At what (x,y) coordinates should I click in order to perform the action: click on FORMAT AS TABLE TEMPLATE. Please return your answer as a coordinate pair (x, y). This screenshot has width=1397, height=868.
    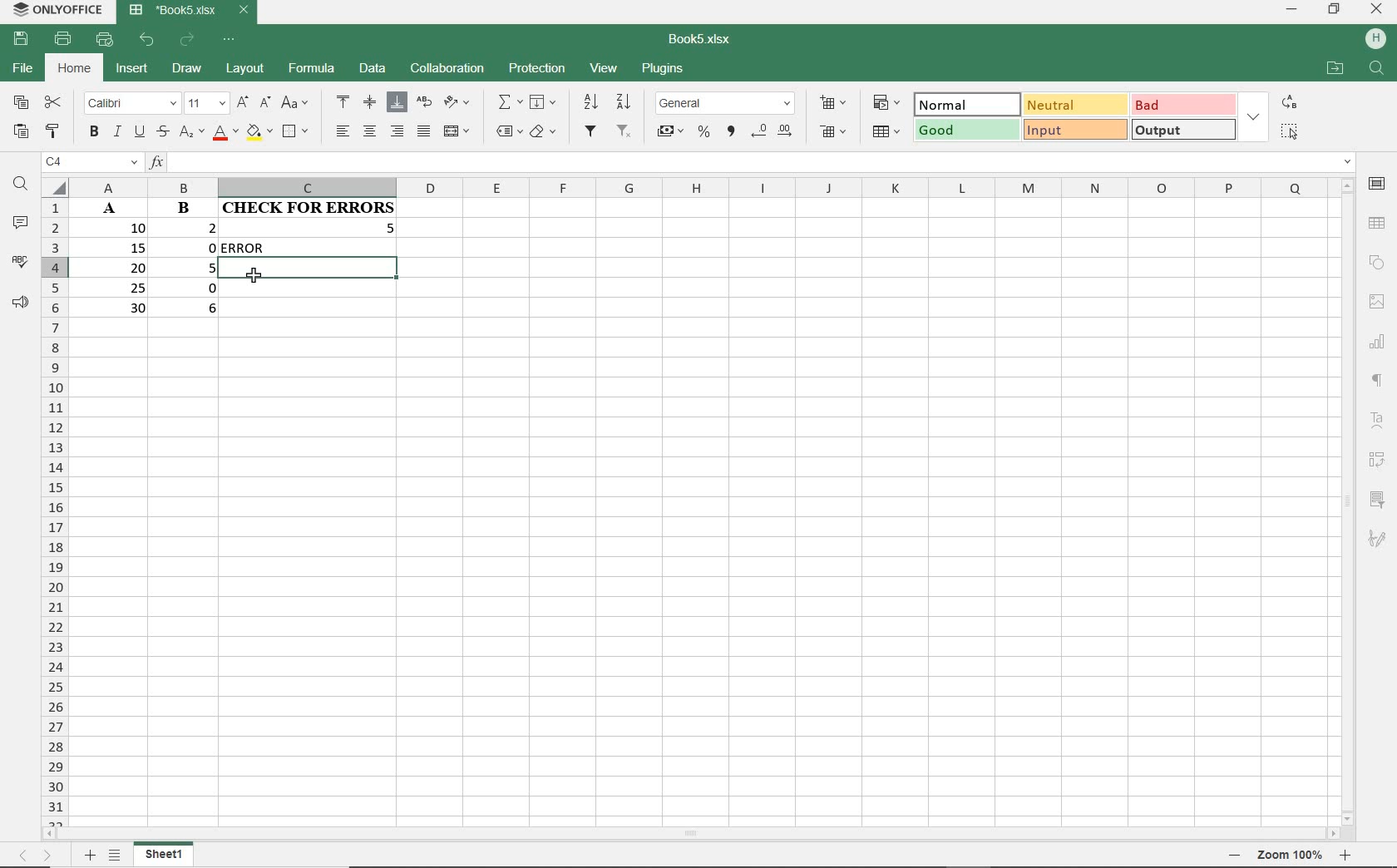
    Looking at the image, I should click on (886, 131).